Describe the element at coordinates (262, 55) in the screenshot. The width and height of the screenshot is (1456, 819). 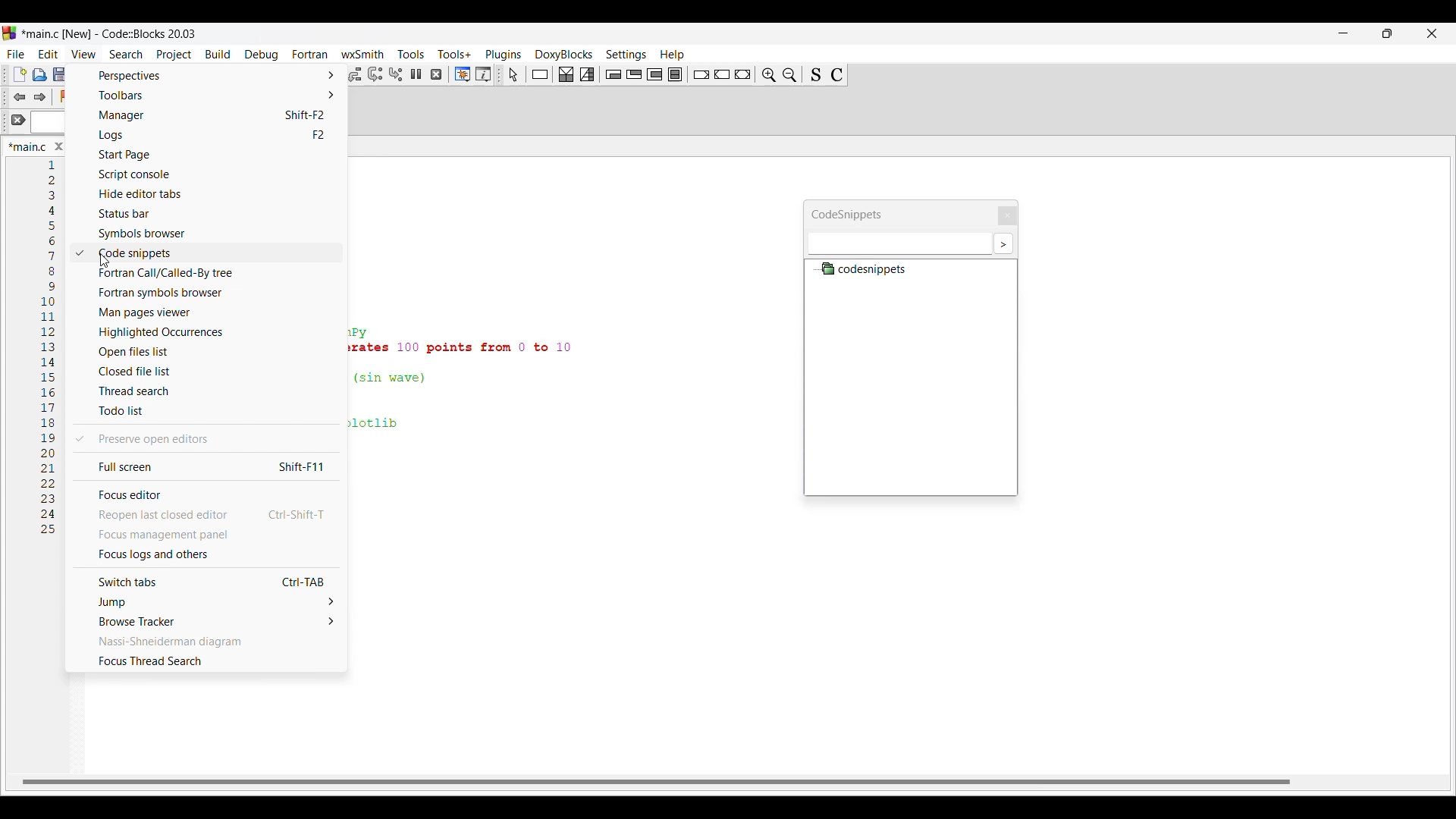
I see `Debug menu` at that location.